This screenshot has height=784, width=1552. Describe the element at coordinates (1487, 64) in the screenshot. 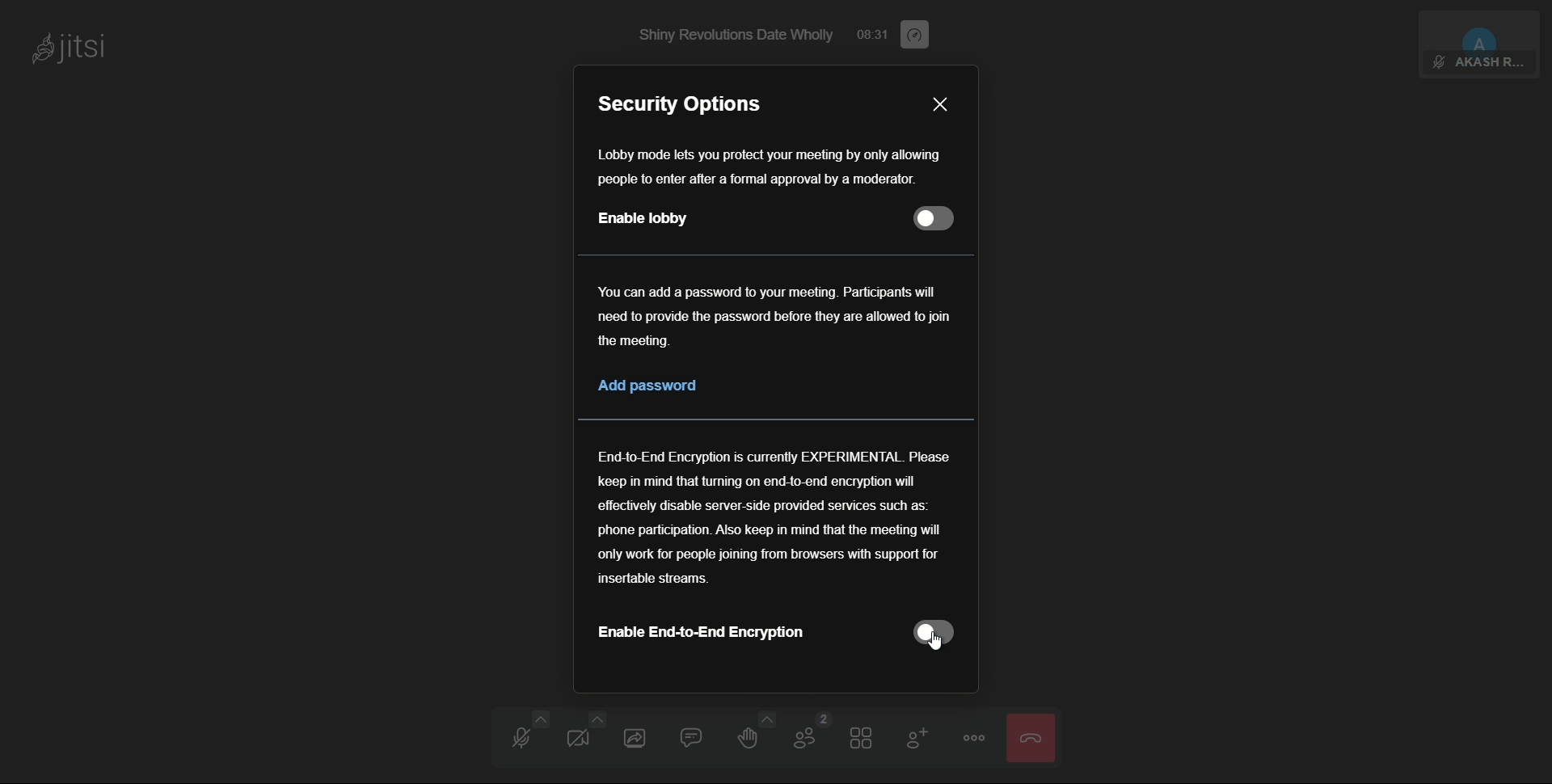

I see `participant name` at that location.